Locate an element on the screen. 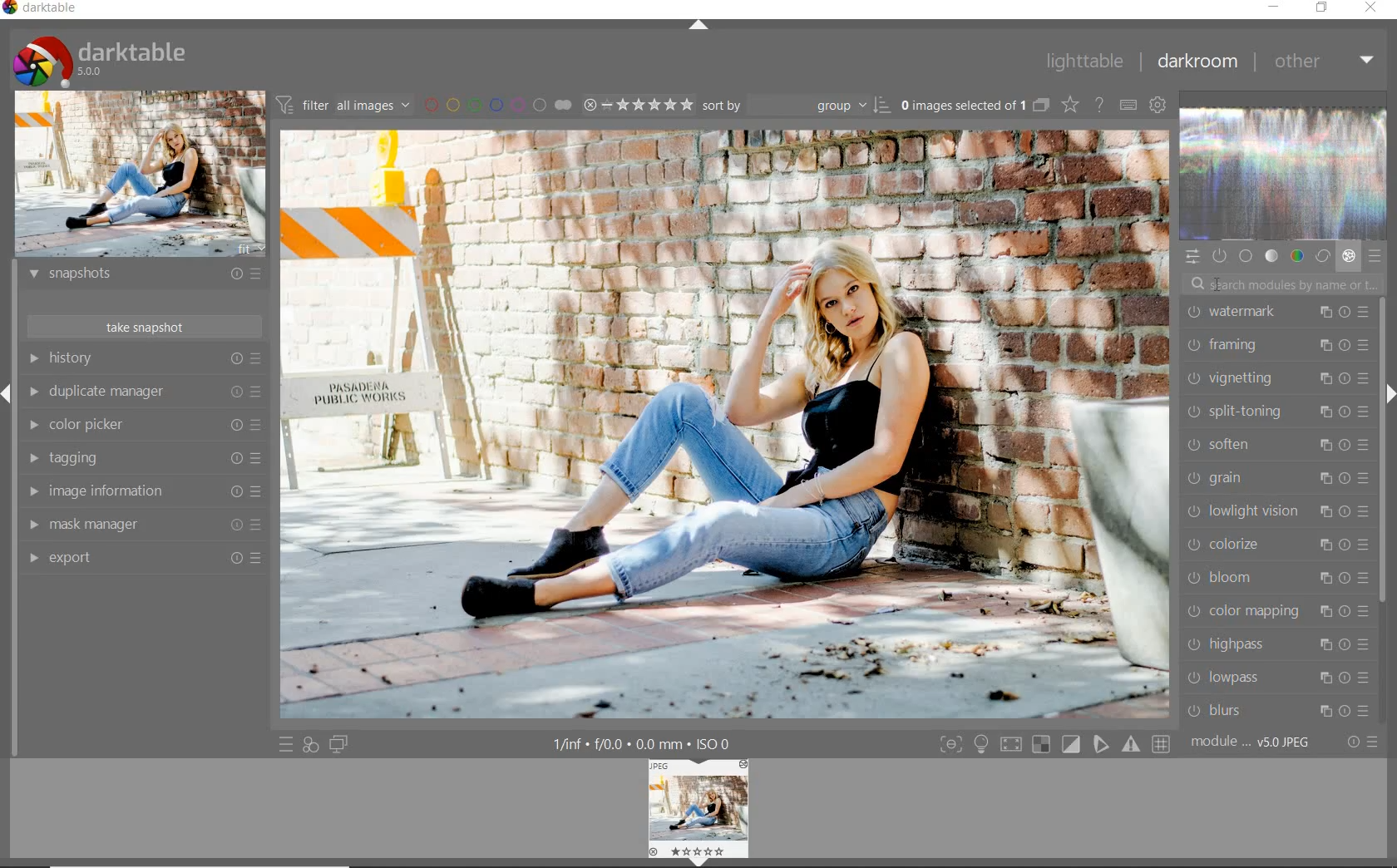 Image resolution: width=1397 pixels, height=868 pixels. image preview is located at coordinates (139, 175).